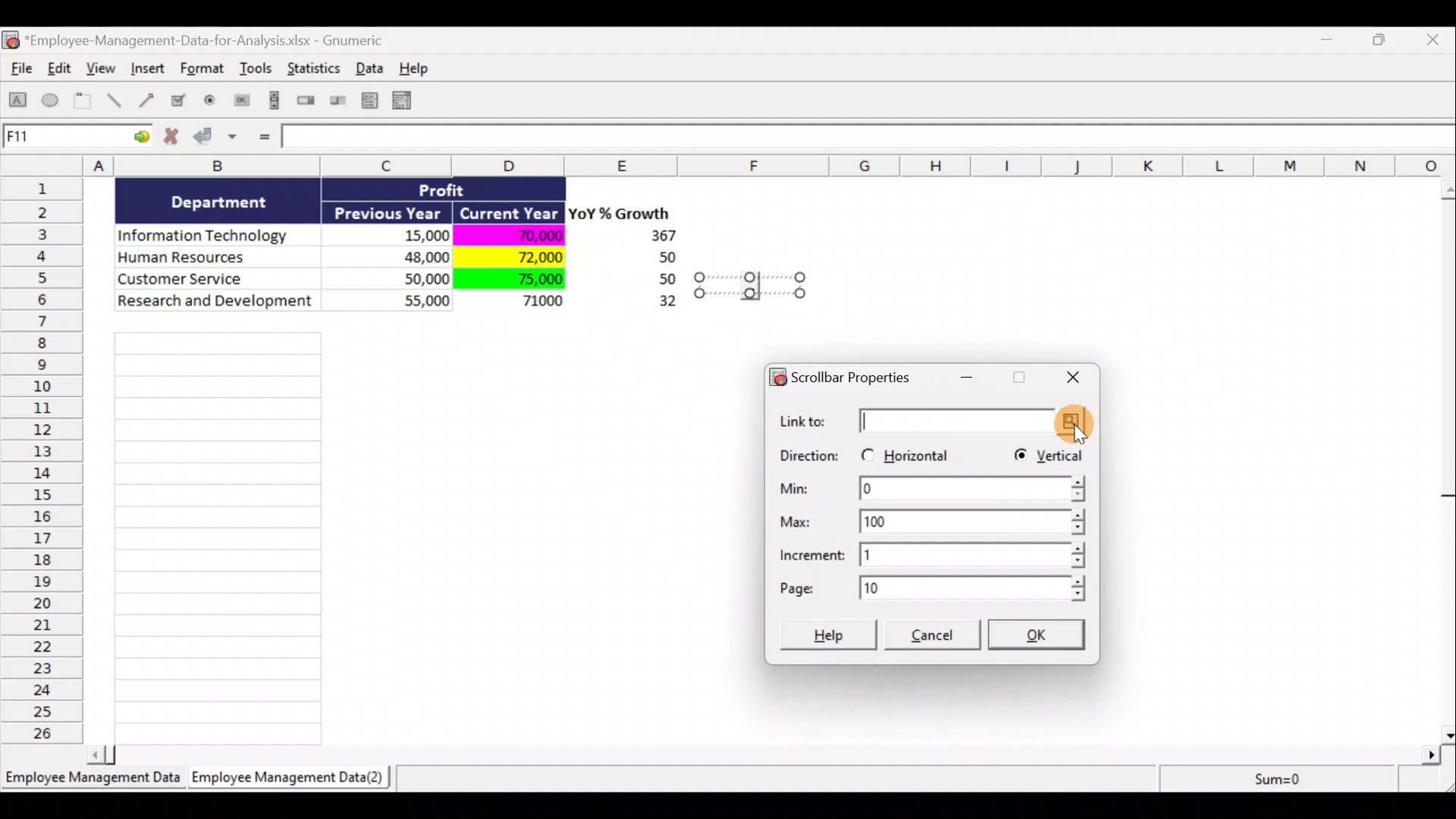  What do you see at coordinates (201, 42) in the screenshot?
I see `Document name` at bounding box center [201, 42].